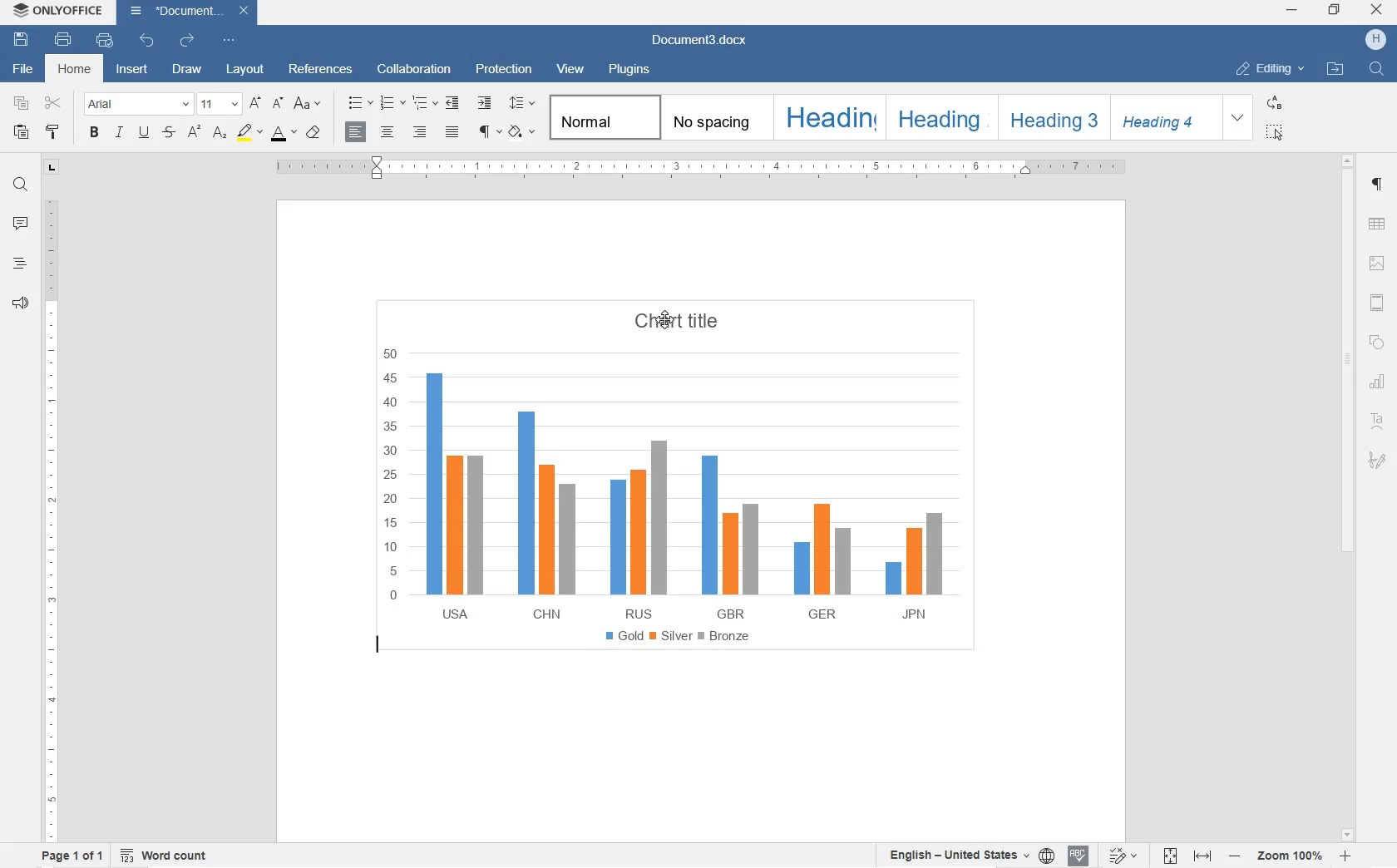 This screenshot has height=868, width=1397. What do you see at coordinates (1268, 70) in the screenshot?
I see `EDITING` at bounding box center [1268, 70].